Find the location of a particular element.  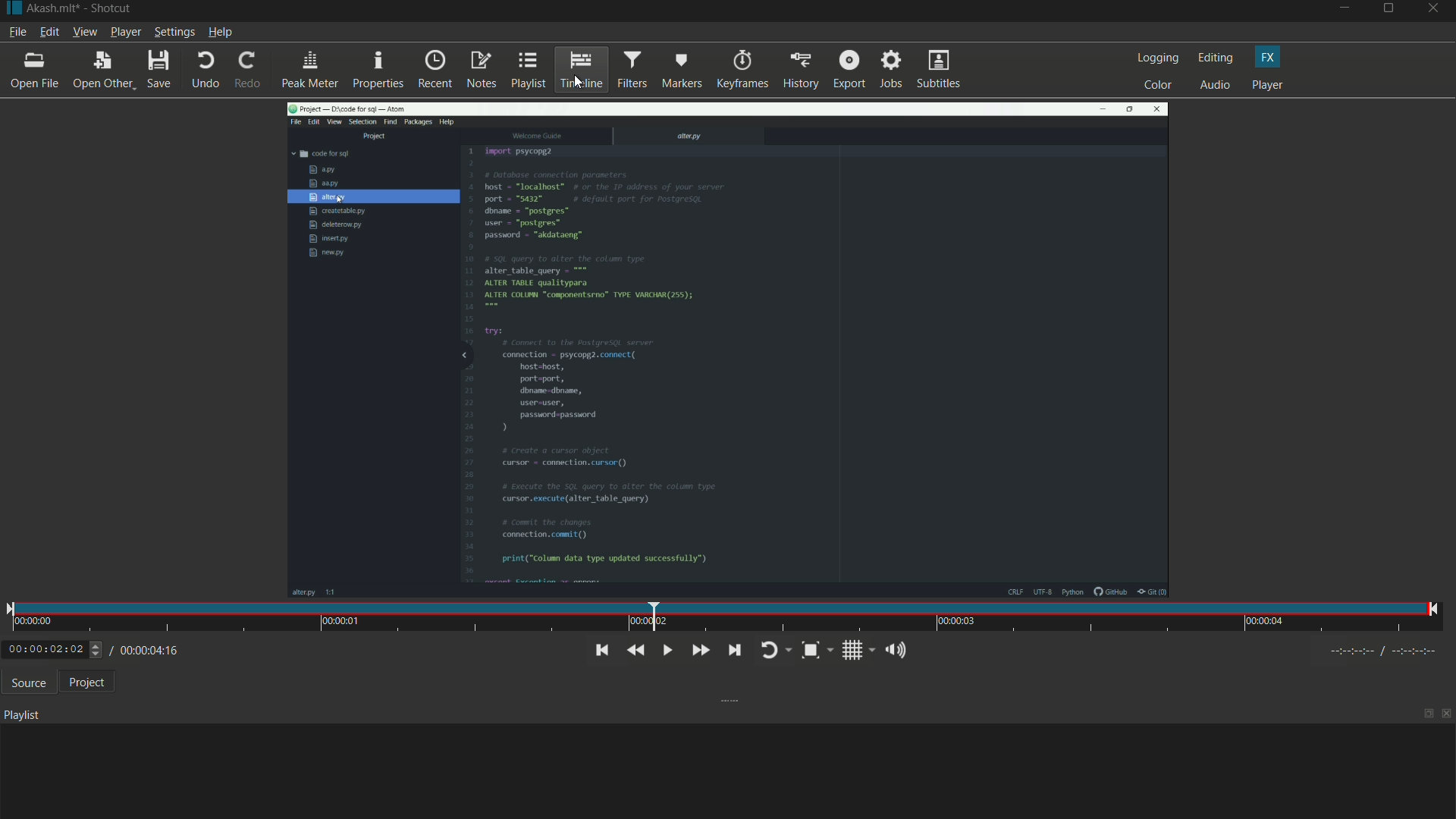

imported video is located at coordinates (728, 353).